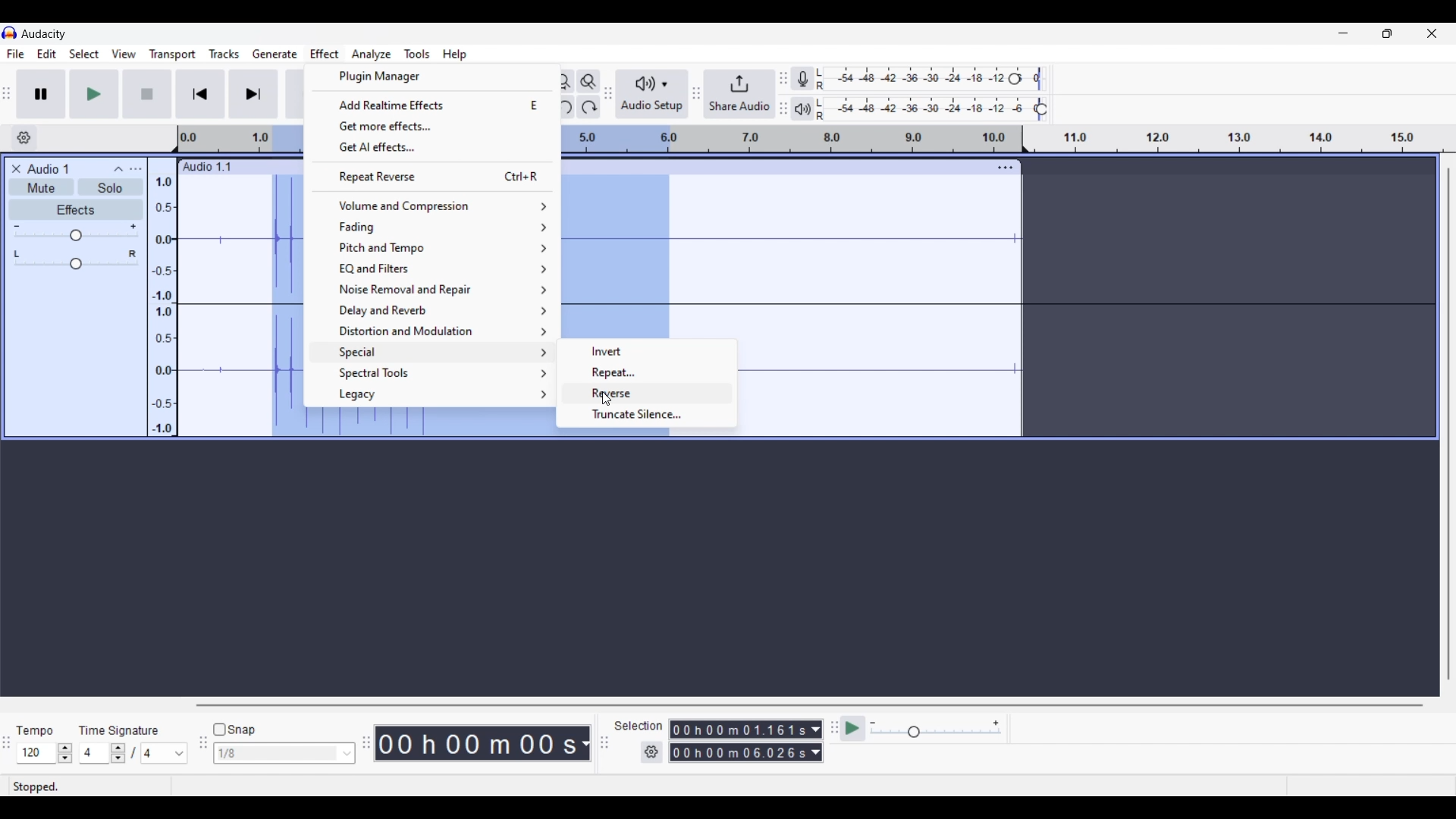 The width and height of the screenshot is (1456, 819). What do you see at coordinates (1041, 109) in the screenshot?
I see `Playback level header` at bounding box center [1041, 109].